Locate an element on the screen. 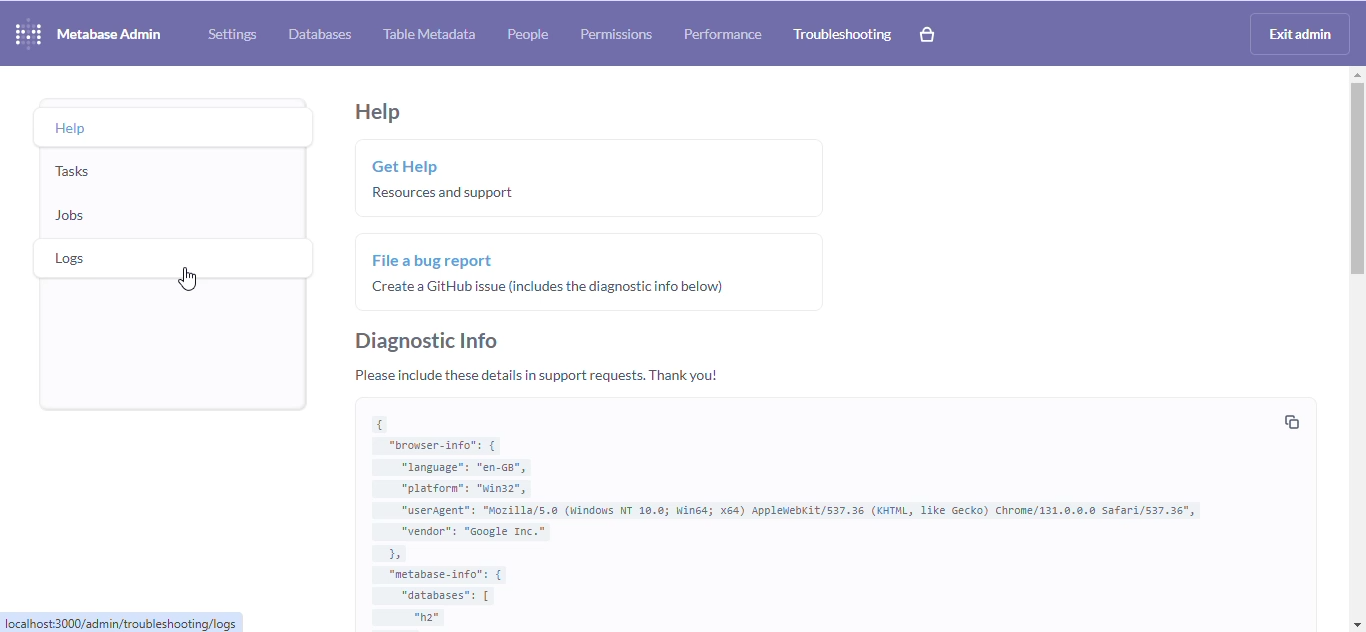 This screenshot has width=1366, height=632. diagnostic info is located at coordinates (427, 341).